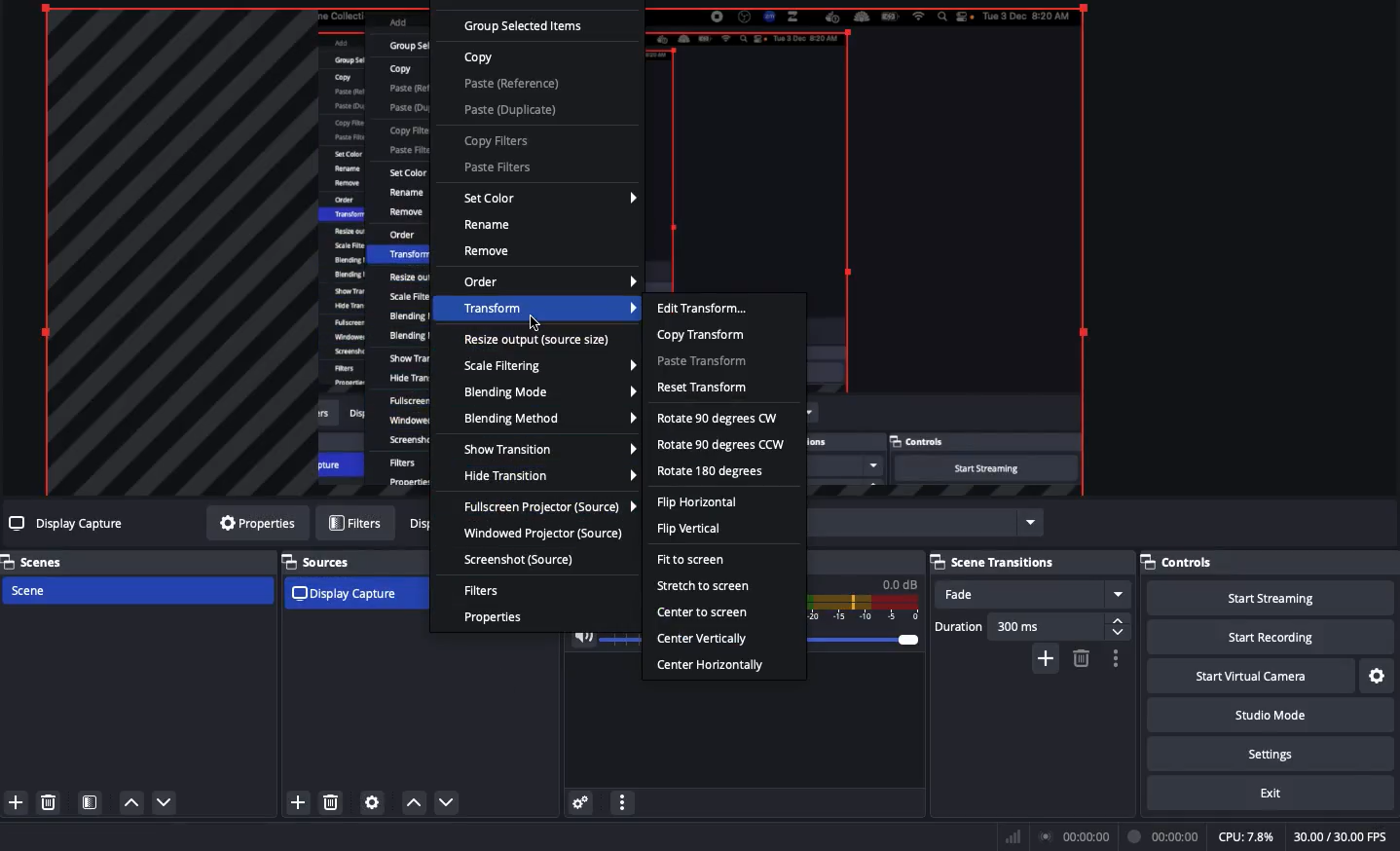 This screenshot has width=1400, height=851. What do you see at coordinates (1250, 679) in the screenshot?
I see `Start virtual camera` at bounding box center [1250, 679].